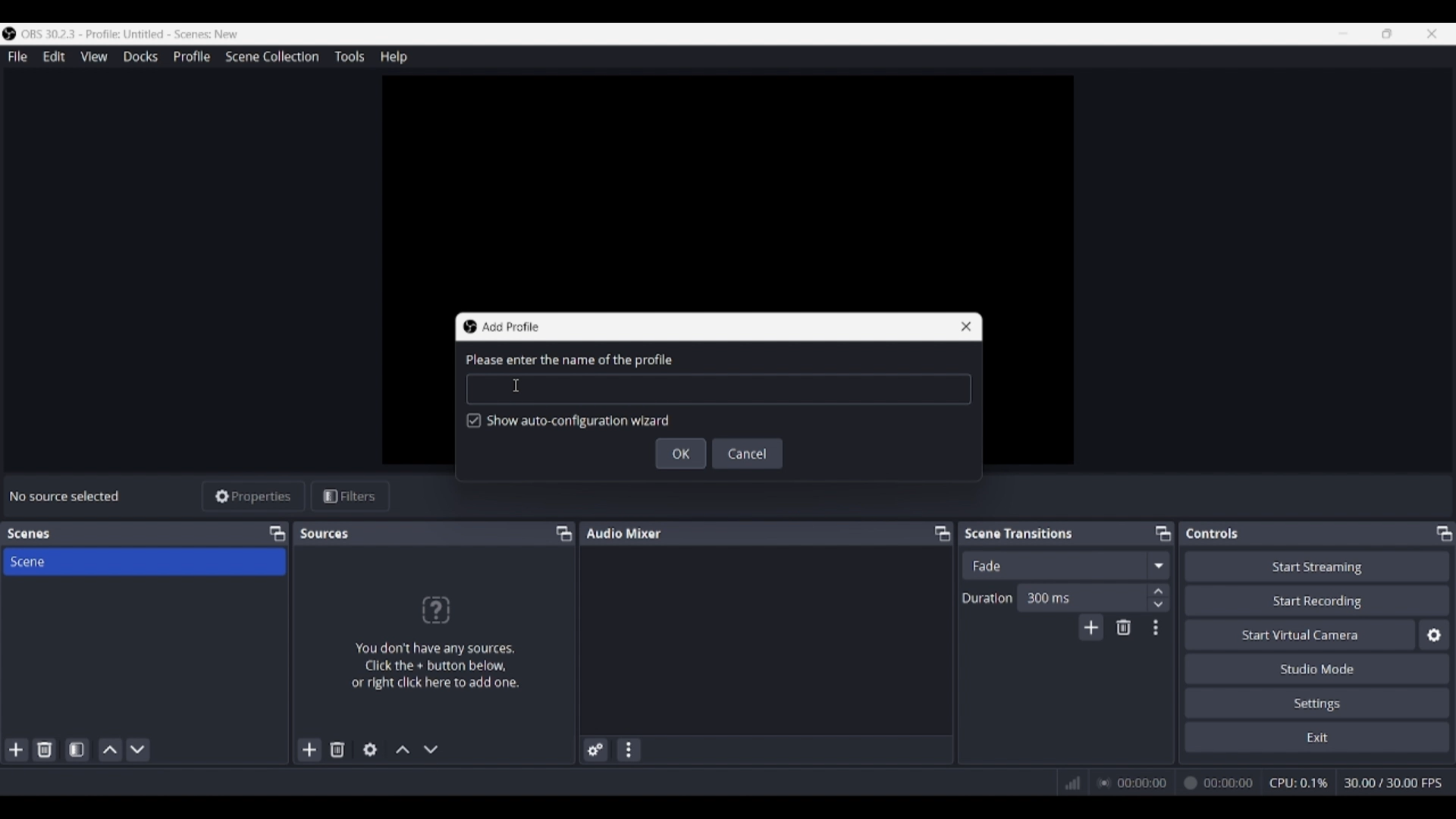 This screenshot has width=1456, height=819. I want to click on Advanced audio properties, so click(595, 750).